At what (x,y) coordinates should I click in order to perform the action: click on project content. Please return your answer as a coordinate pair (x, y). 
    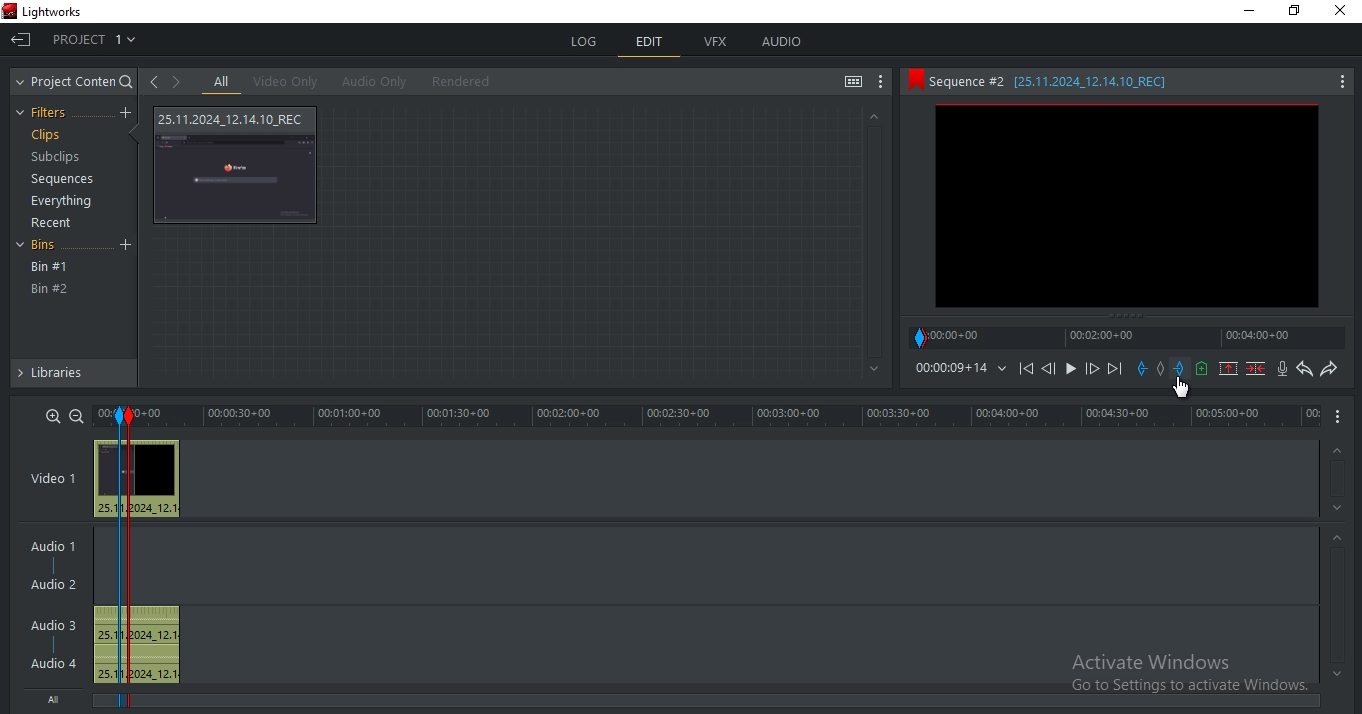
    Looking at the image, I should click on (76, 82).